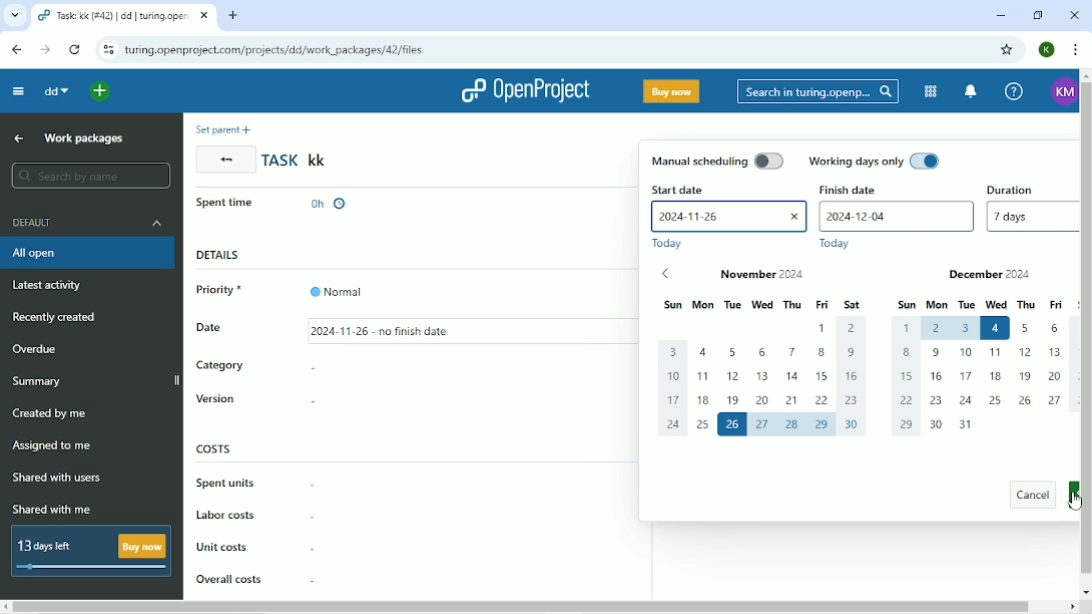 This screenshot has height=614, width=1092. I want to click on Search tabs, so click(14, 15).